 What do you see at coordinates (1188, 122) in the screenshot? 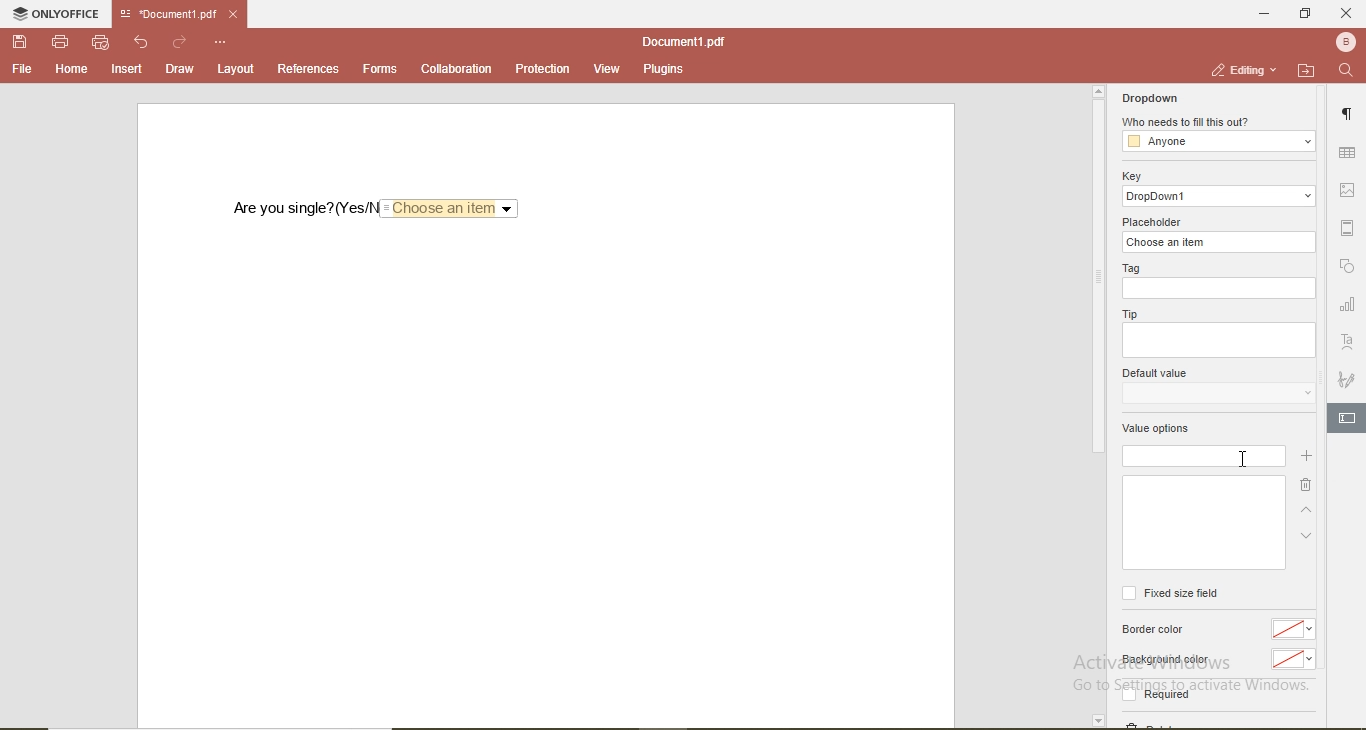
I see `who needs to fill this out` at bounding box center [1188, 122].